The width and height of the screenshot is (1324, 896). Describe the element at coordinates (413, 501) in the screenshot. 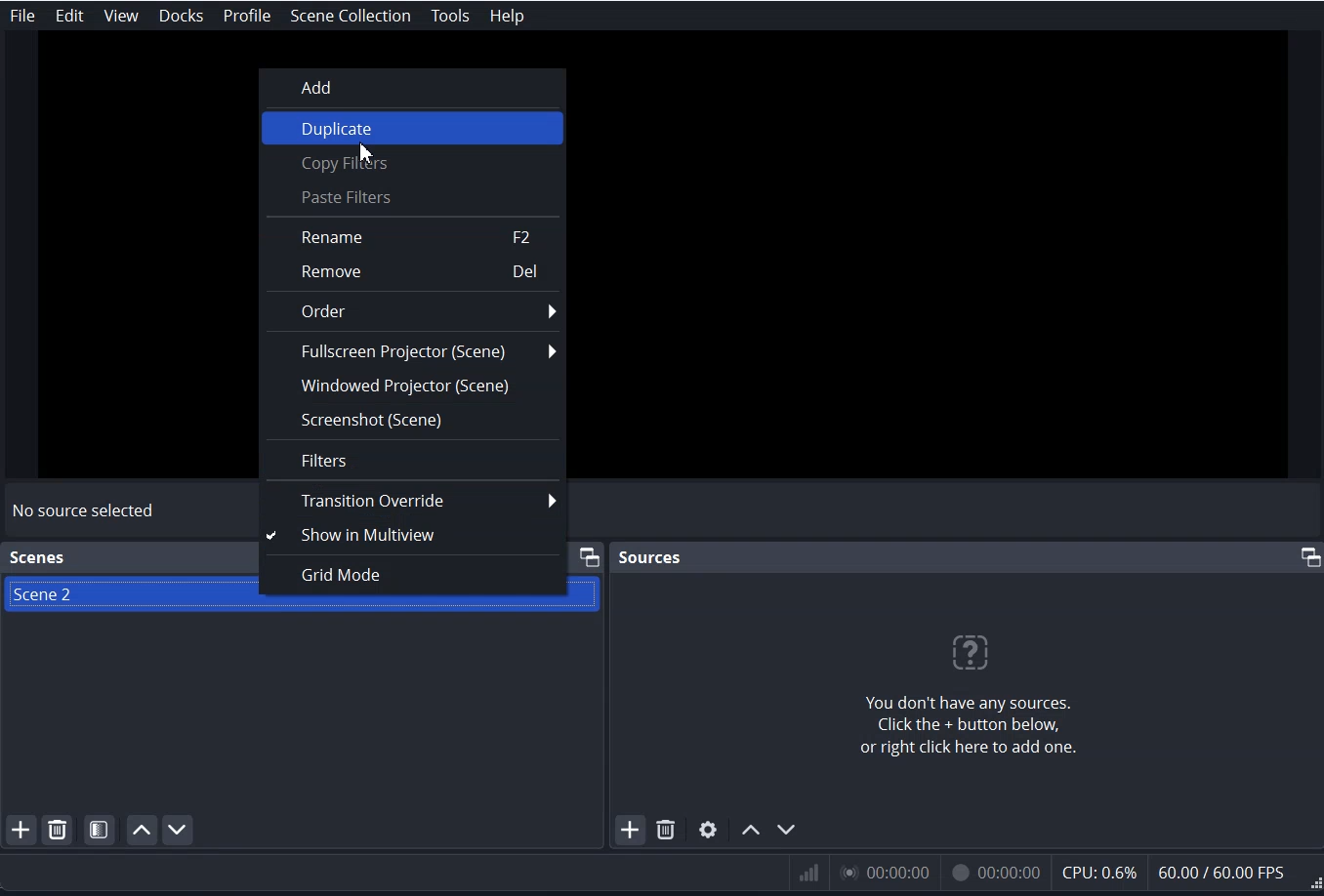

I see `Transition Override` at that location.